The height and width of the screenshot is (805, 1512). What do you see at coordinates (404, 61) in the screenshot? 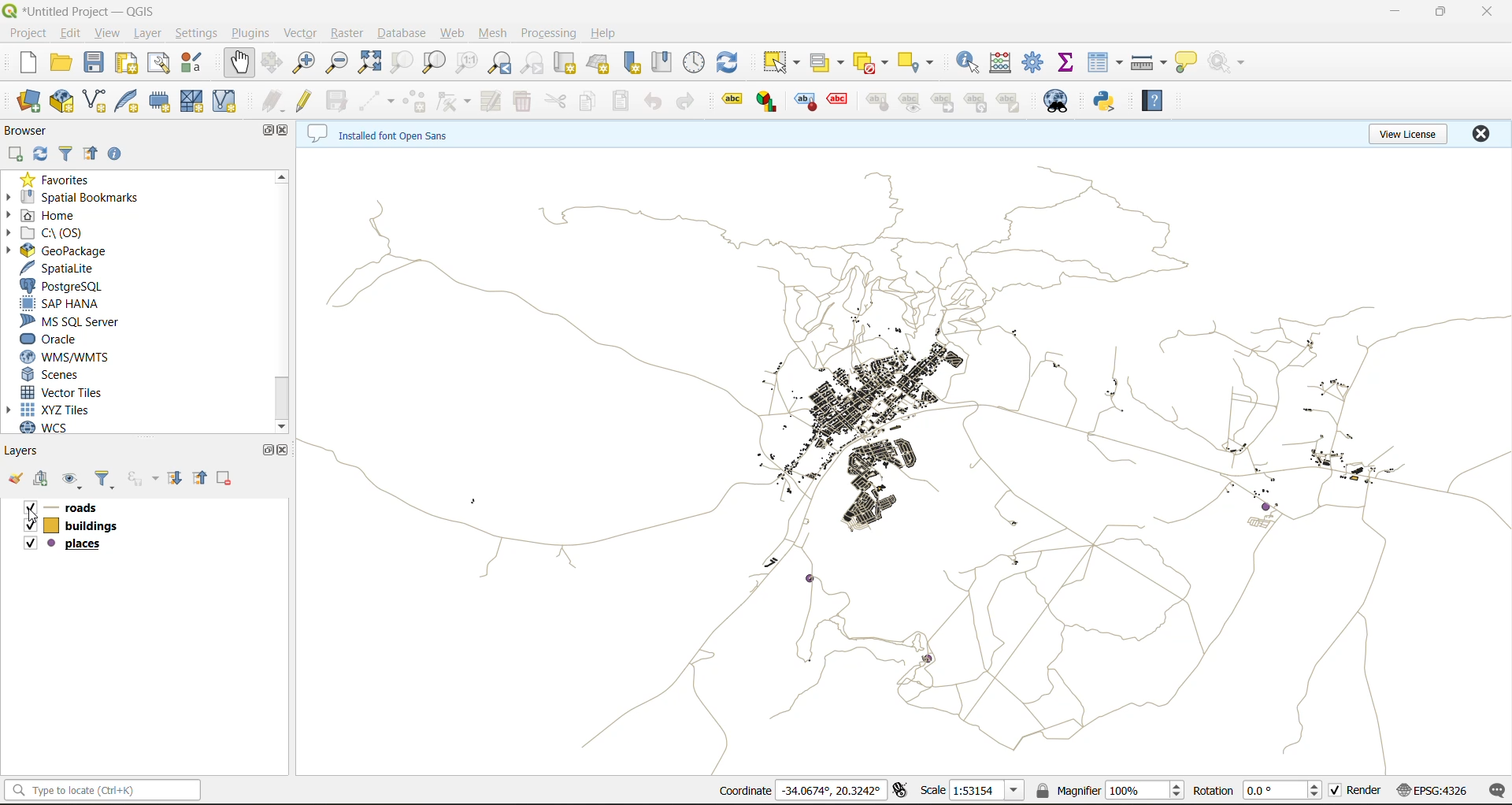
I see `zoom selection` at bounding box center [404, 61].